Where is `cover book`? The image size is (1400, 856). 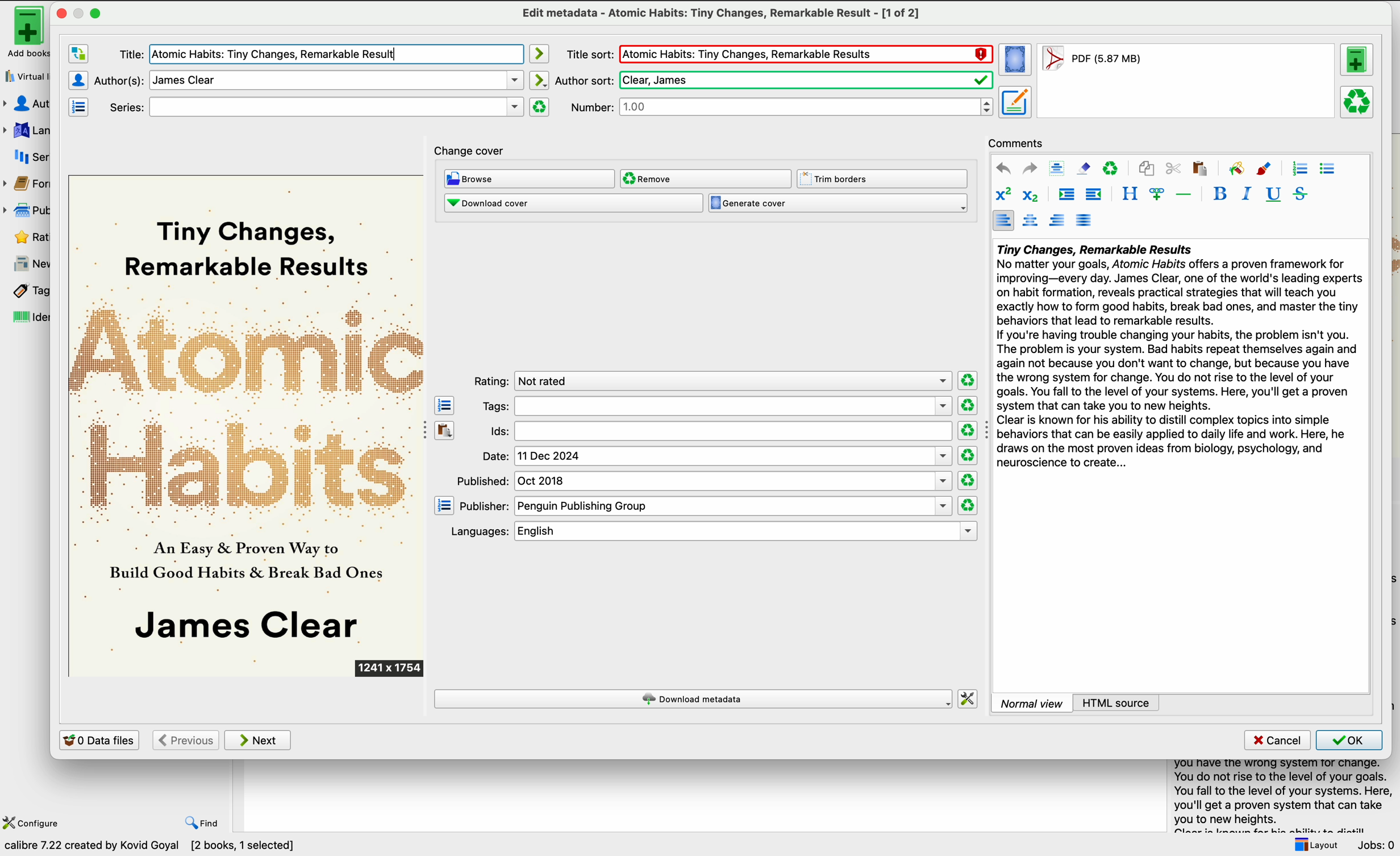 cover book is located at coordinates (248, 426).